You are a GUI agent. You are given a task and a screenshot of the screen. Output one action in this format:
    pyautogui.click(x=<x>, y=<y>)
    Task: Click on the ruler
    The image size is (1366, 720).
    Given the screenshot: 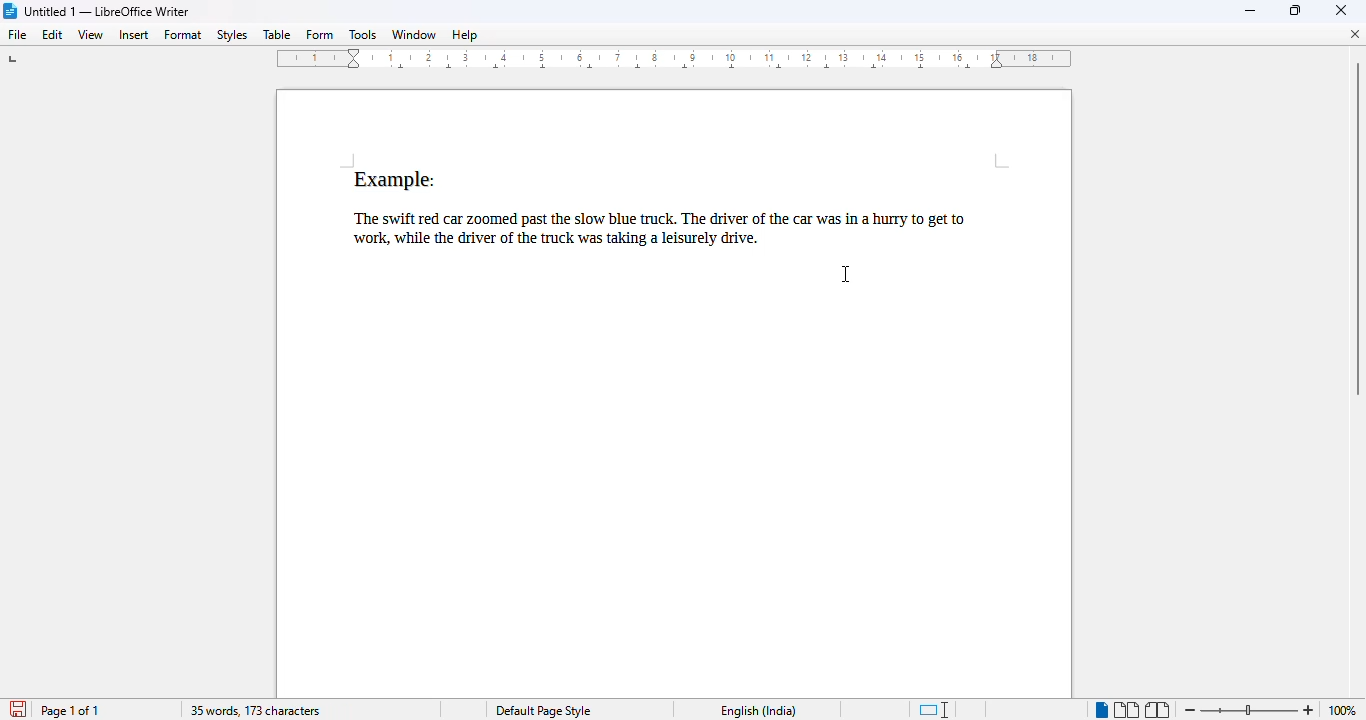 What is the action you would take?
    pyautogui.click(x=679, y=62)
    